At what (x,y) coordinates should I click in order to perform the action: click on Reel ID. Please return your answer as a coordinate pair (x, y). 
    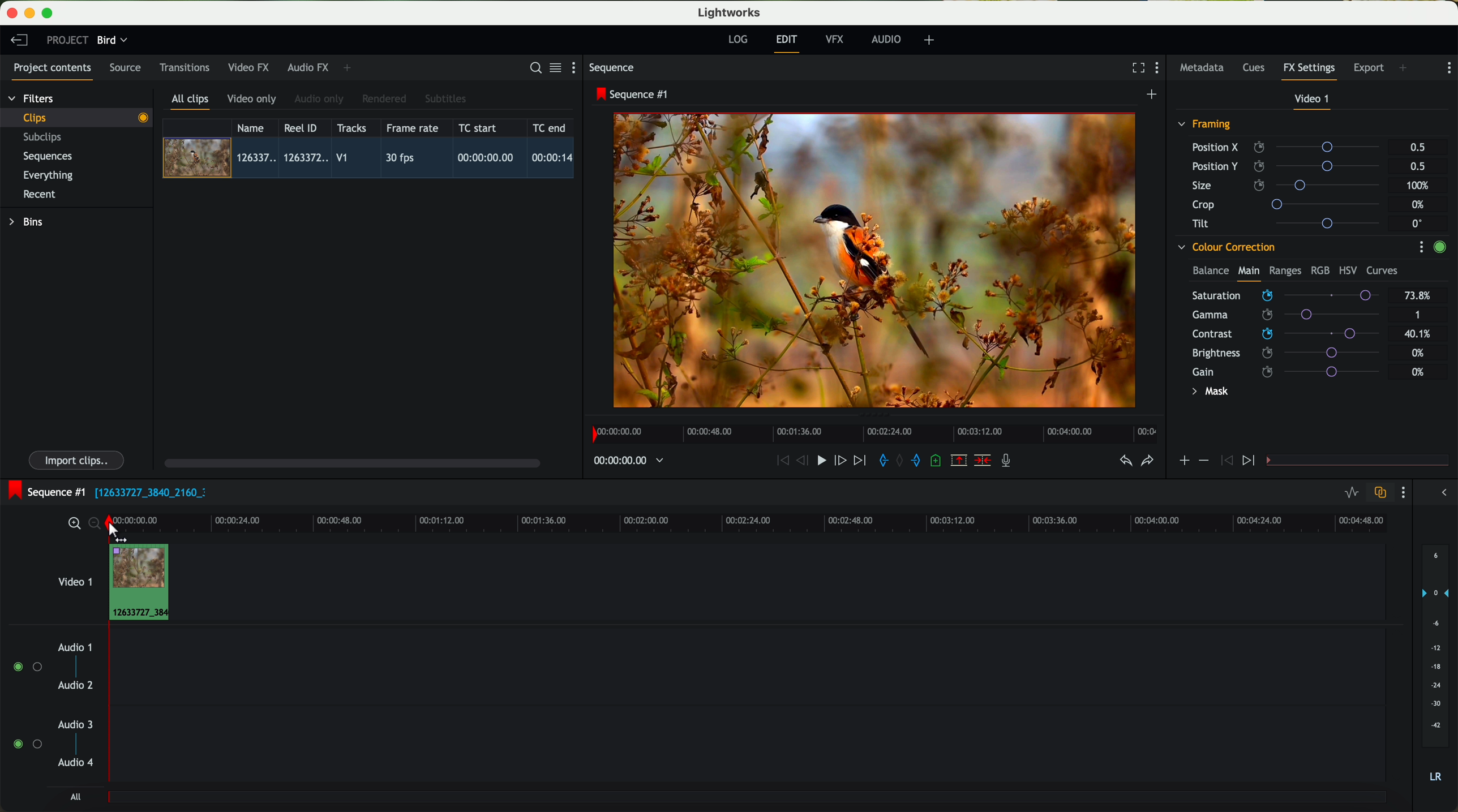
    Looking at the image, I should click on (303, 127).